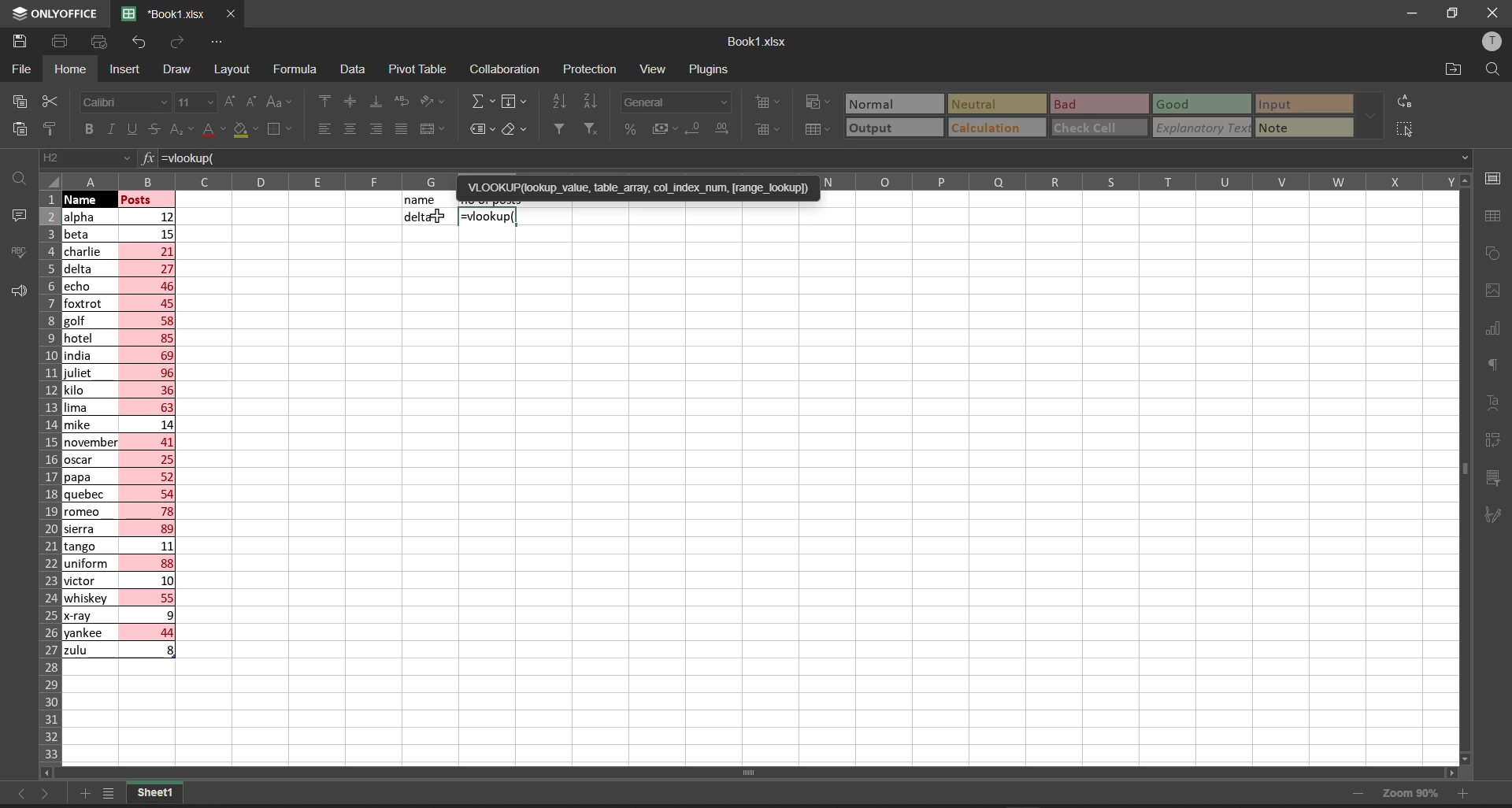 This screenshot has width=1512, height=808. What do you see at coordinates (1464, 474) in the screenshot?
I see `vertical scroll bar` at bounding box center [1464, 474].